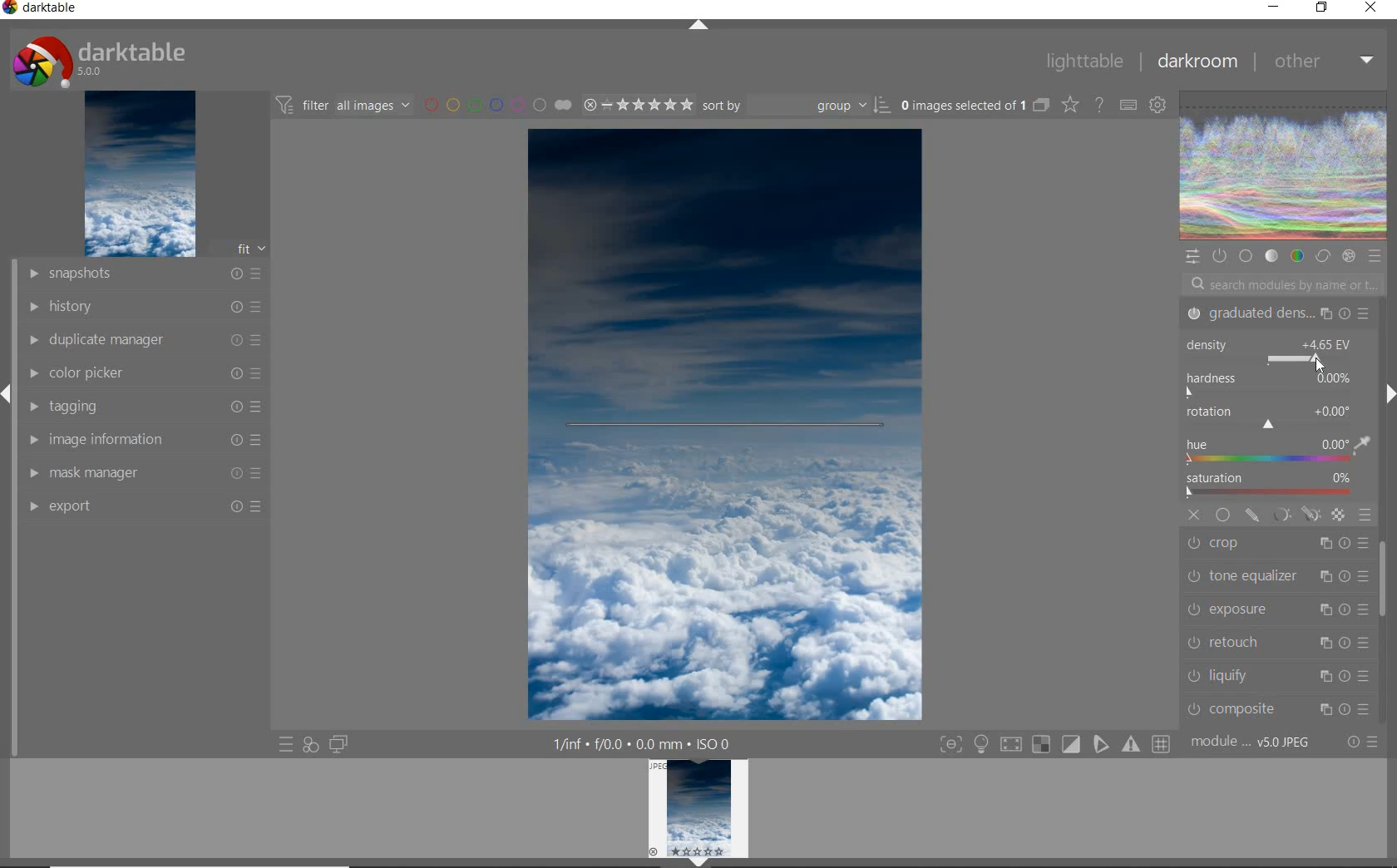 This screenshot has height=868, width=1397. Describe the element at coordinates (1276, 486) in the screenshot. I see `SATURATION` at that location.